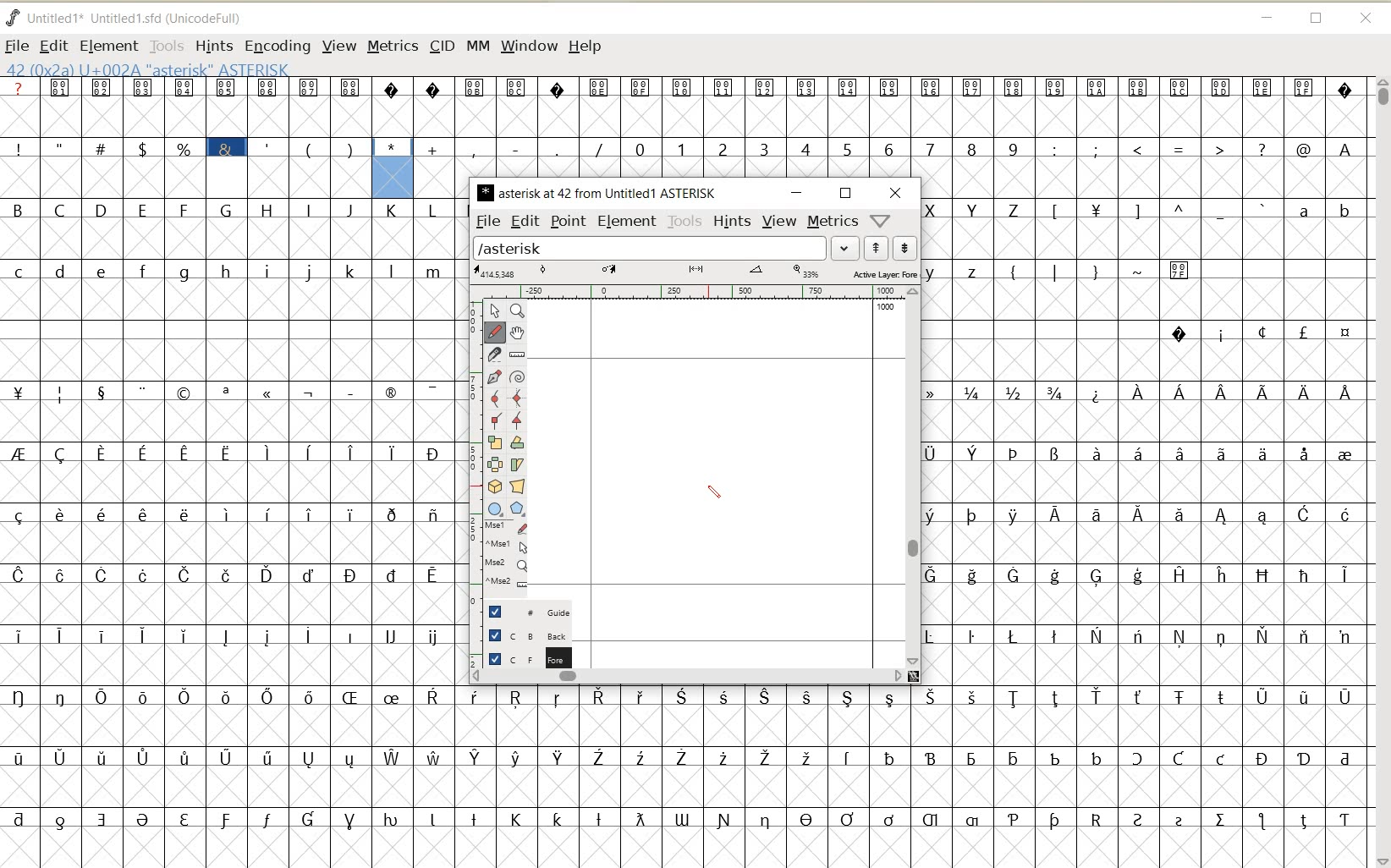  I want to click on POINT, so click(569, 222).